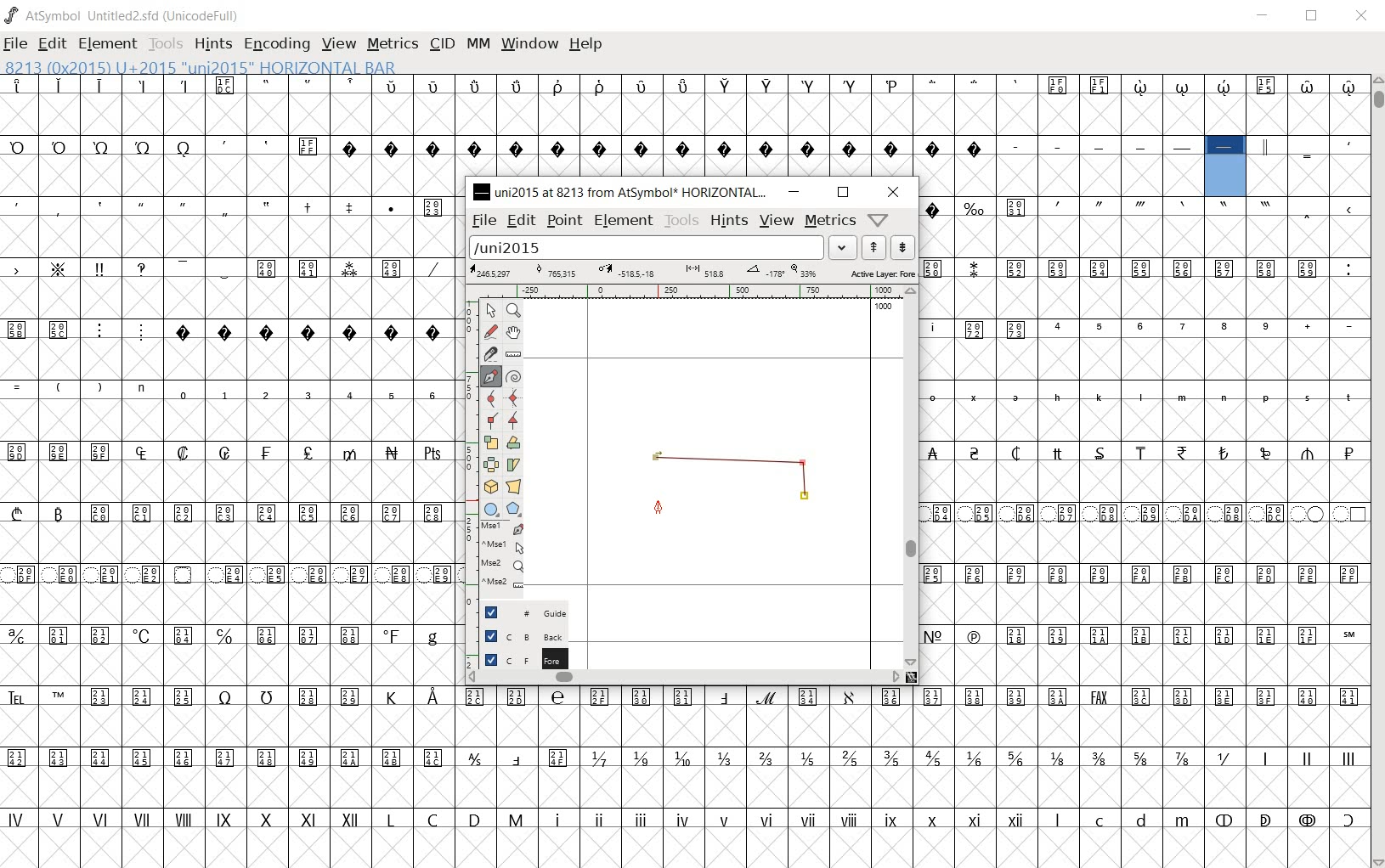  Describe the element at coordinates (442, 43) in the screenshot. I see `CID` at that location.